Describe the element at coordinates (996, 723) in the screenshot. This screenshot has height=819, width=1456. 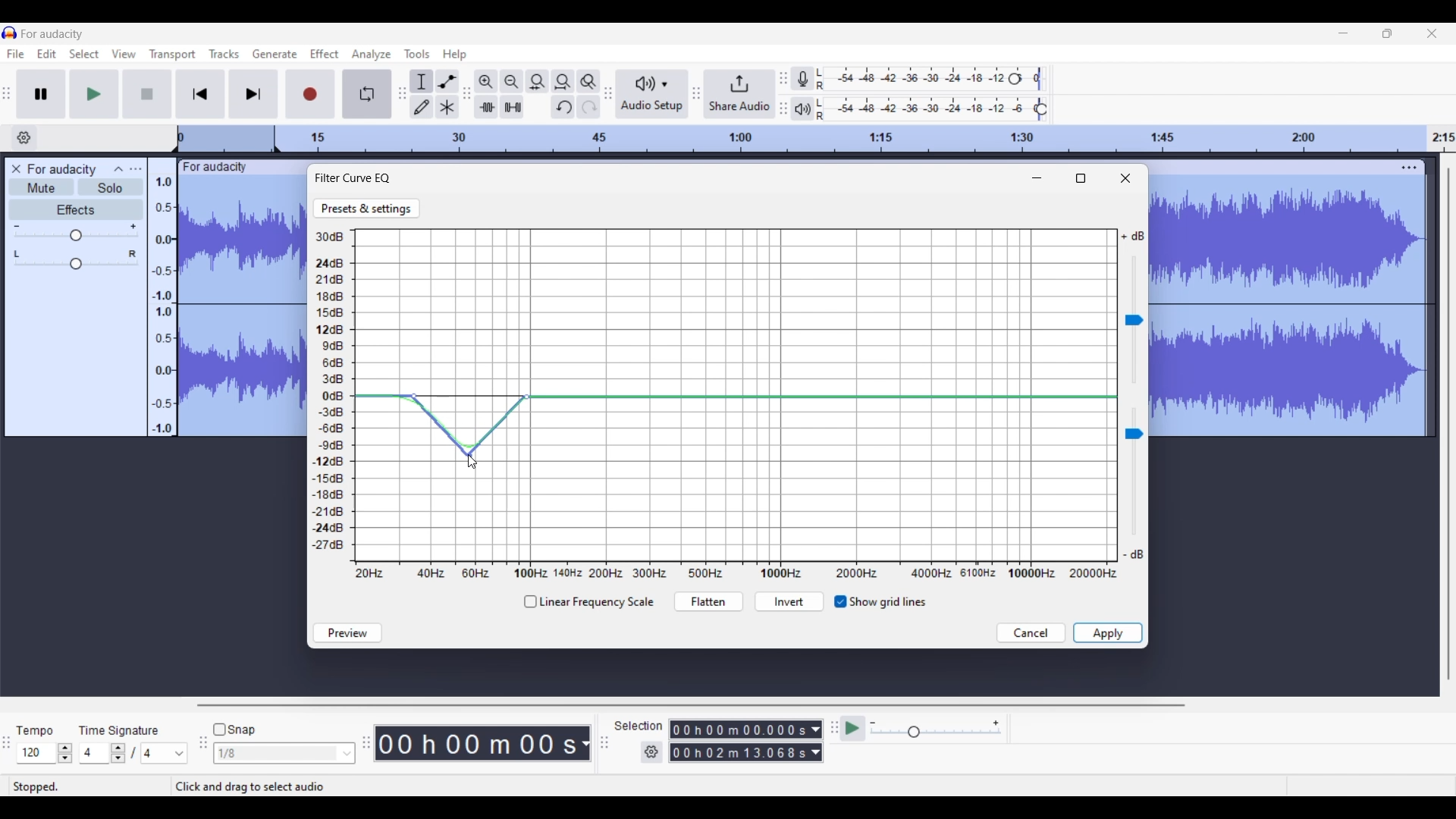
I see `Max. playback speed` at that location.